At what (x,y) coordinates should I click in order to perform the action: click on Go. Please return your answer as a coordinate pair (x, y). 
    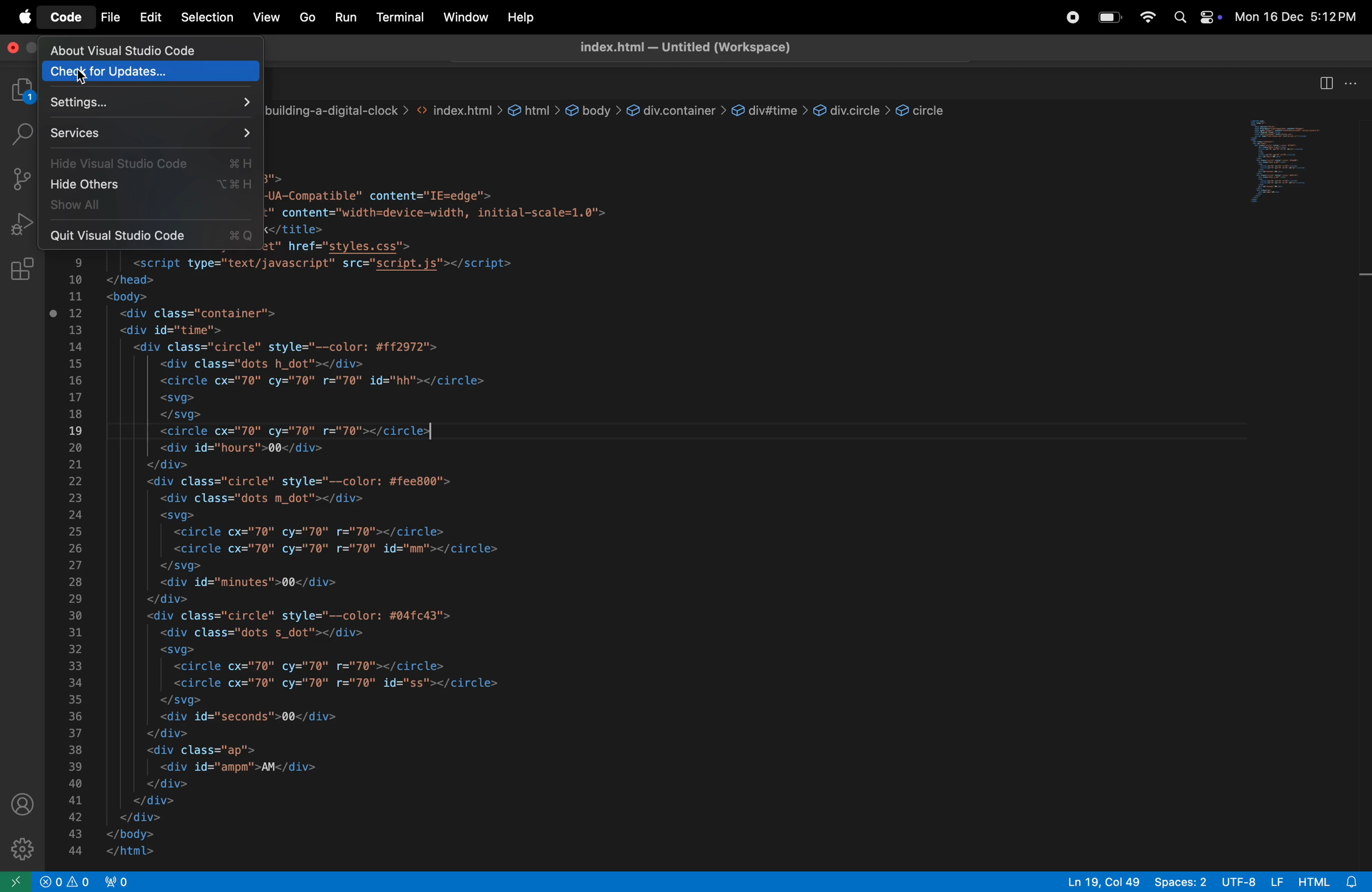
    Looking at the image, I should click on (307, 16).